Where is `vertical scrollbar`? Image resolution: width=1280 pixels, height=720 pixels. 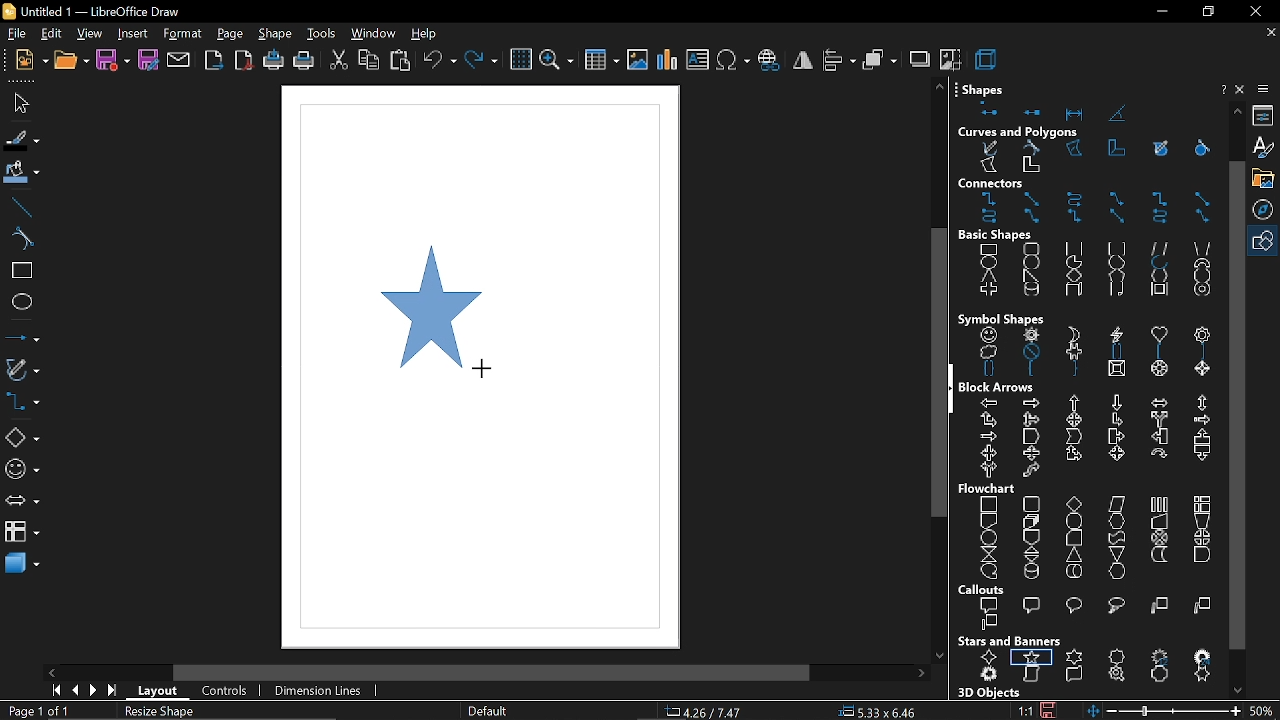 vertical scrollbar is located at coordinates (1237, 405).